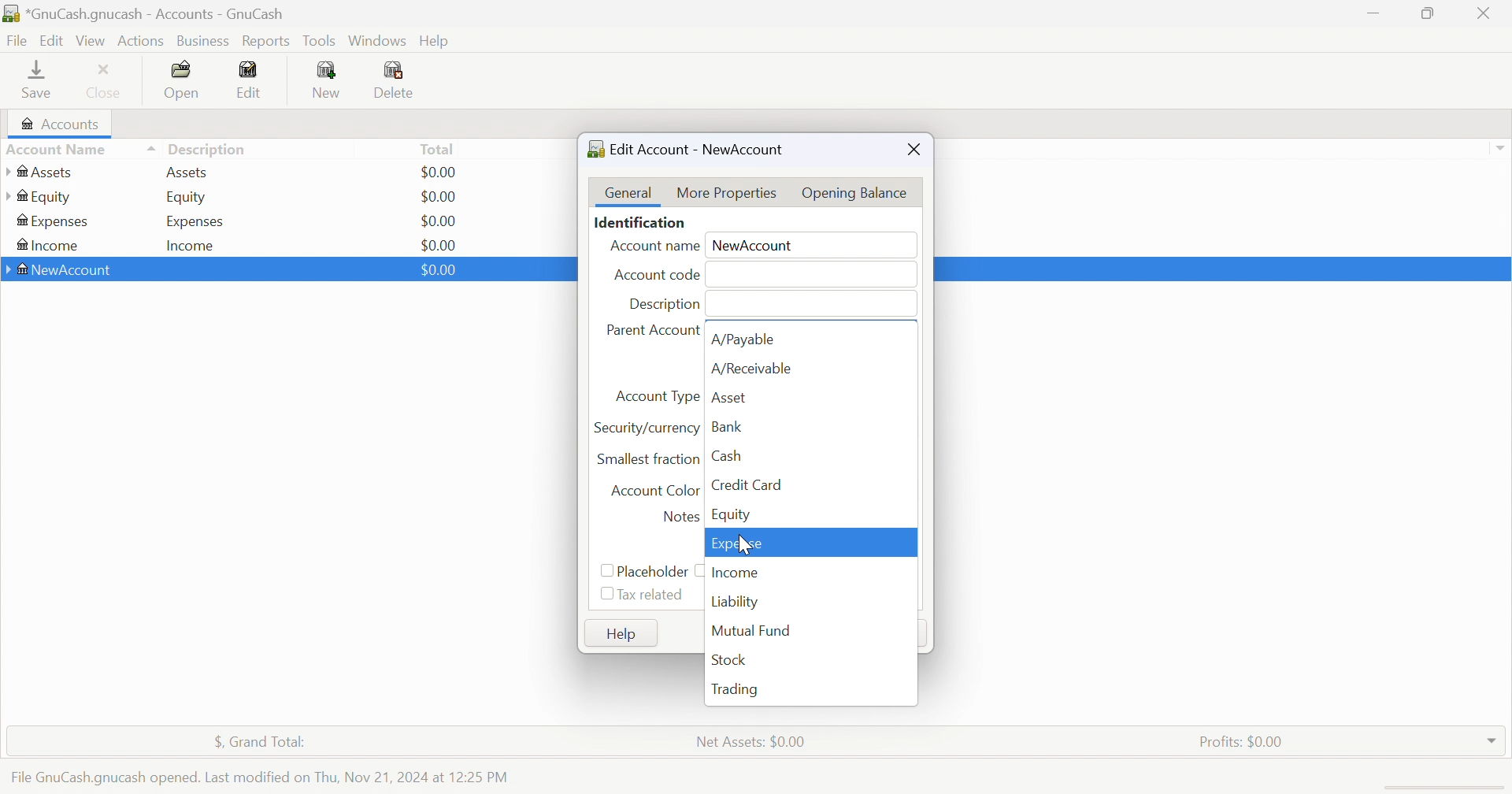 Image resolution: width=1512 pixels, height=794 pixels. Describe the element at coordinates (265, 42) in the screenshot. I see `Reports` at that location.